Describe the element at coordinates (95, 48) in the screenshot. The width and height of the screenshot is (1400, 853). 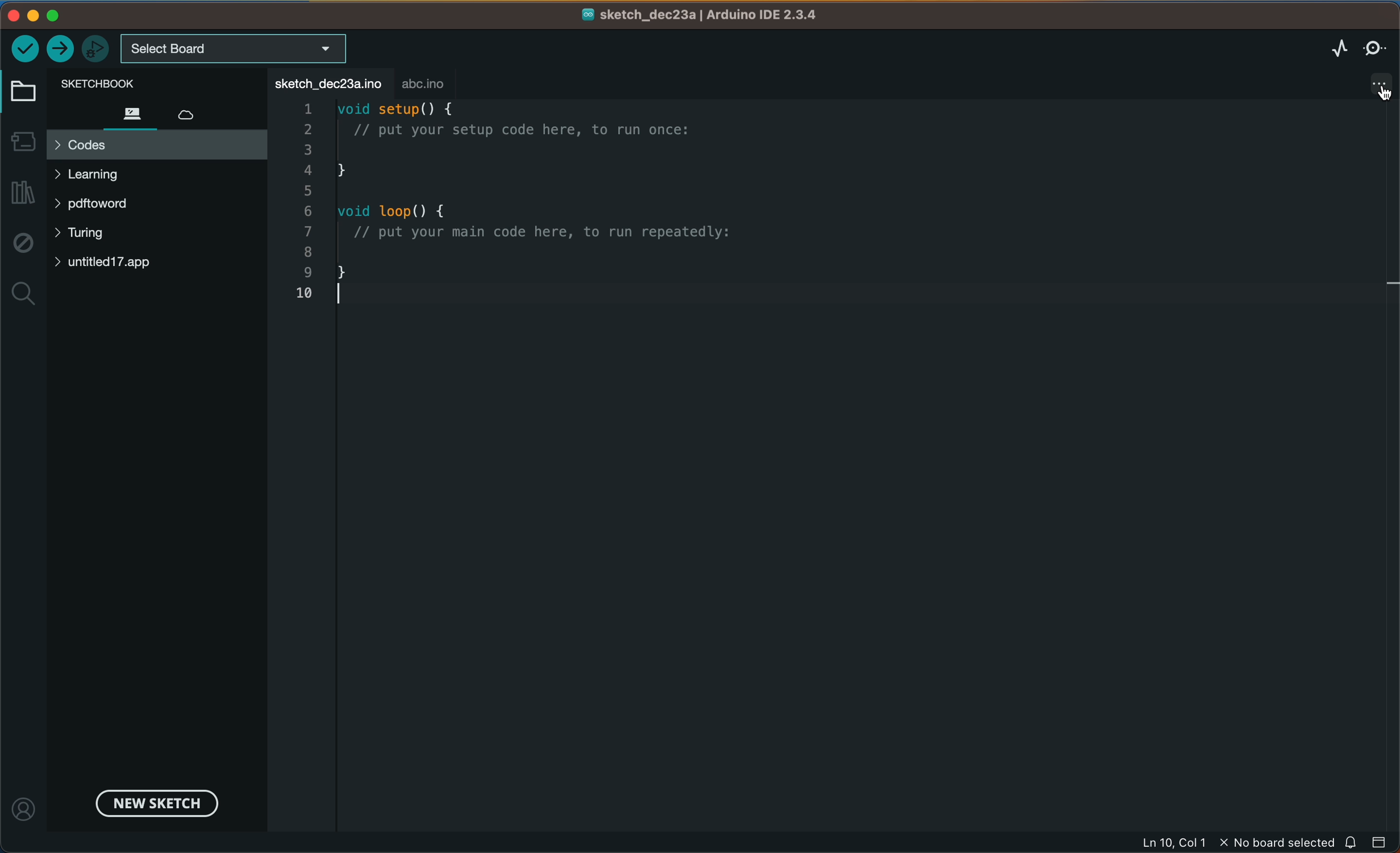
I see `debugger` at that location.